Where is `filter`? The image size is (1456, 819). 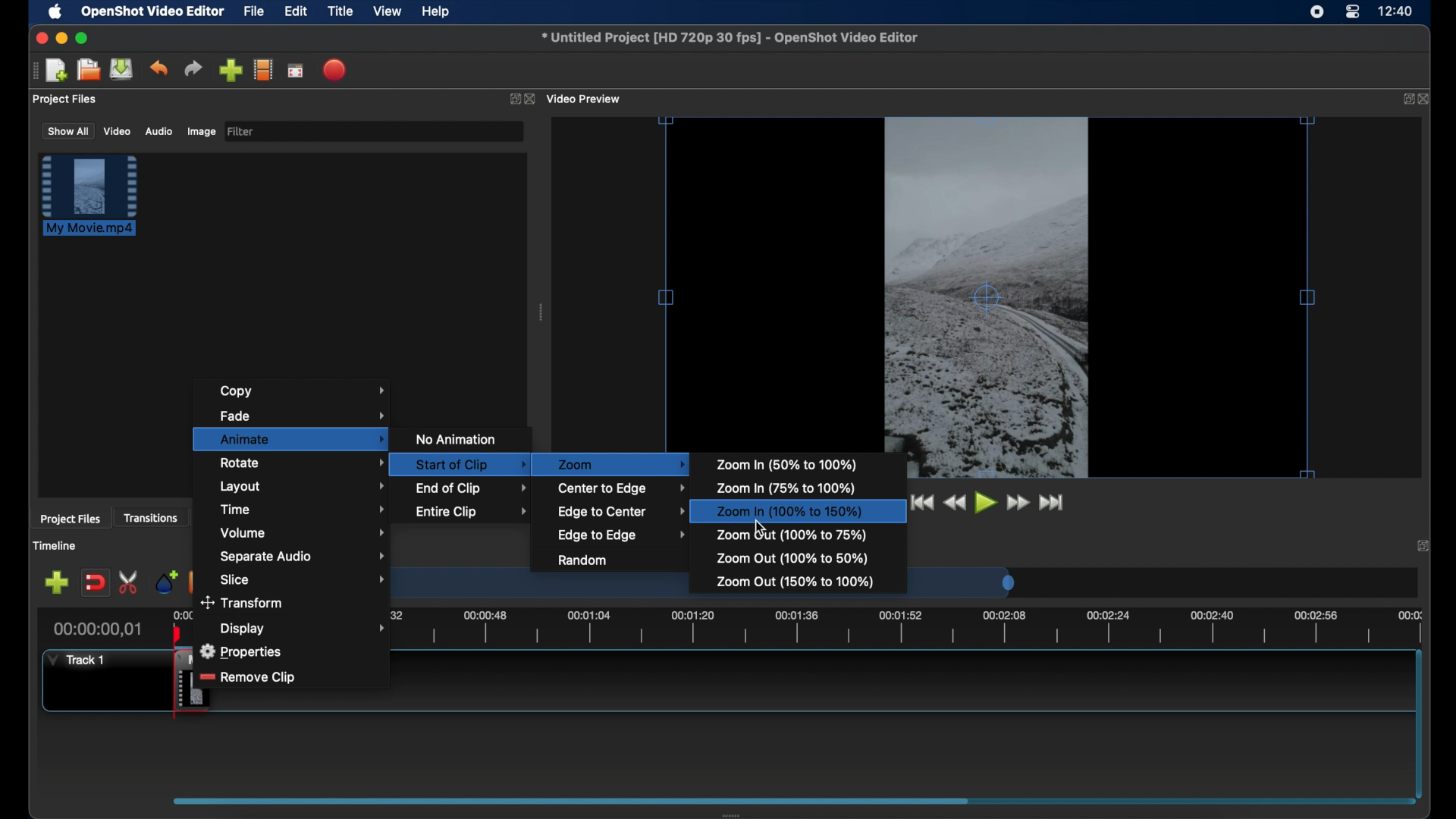 filter is located at coordinates (241, 130).